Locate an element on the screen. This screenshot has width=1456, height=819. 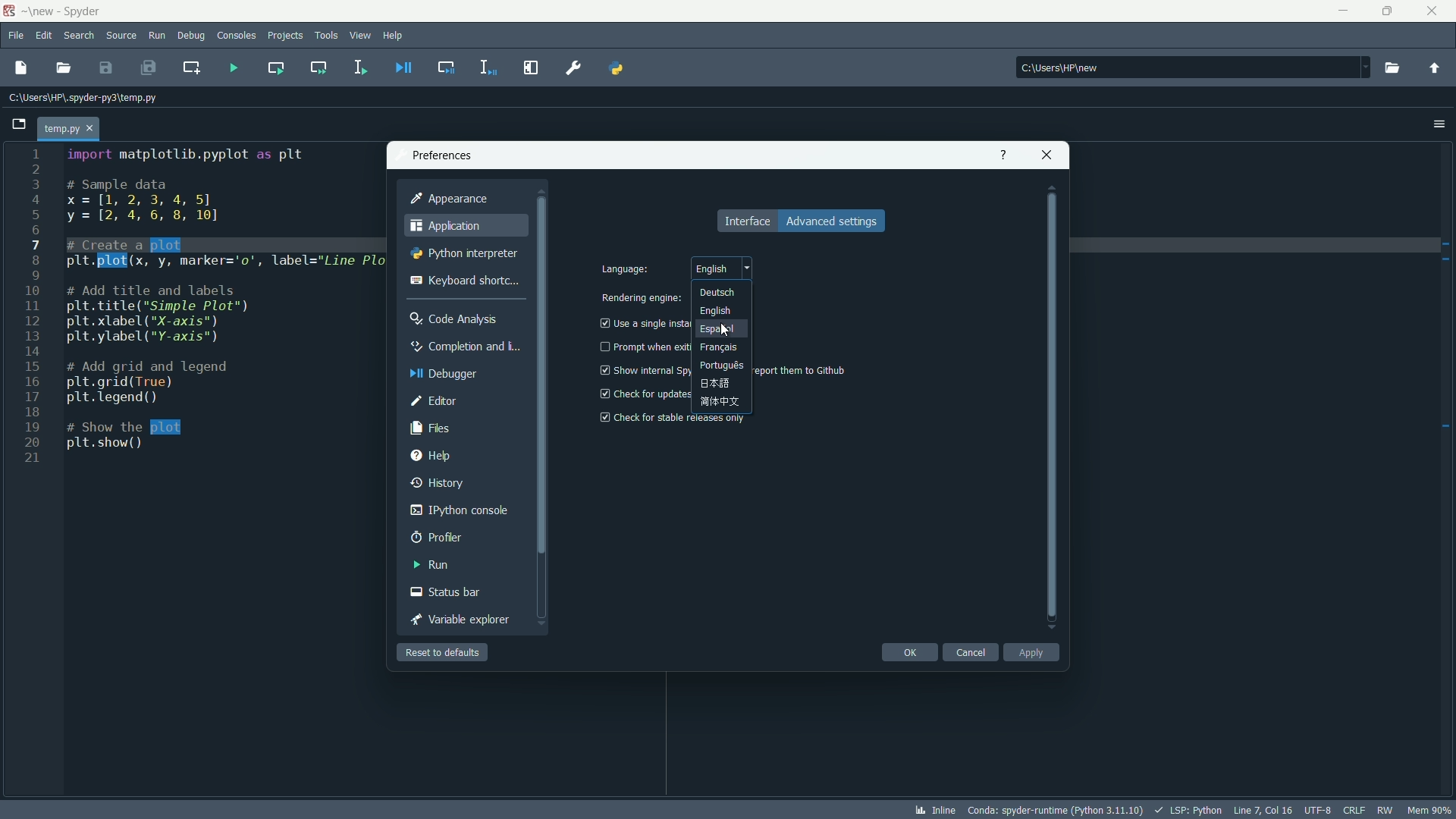
checkbox is located at coordinates (601, 324).